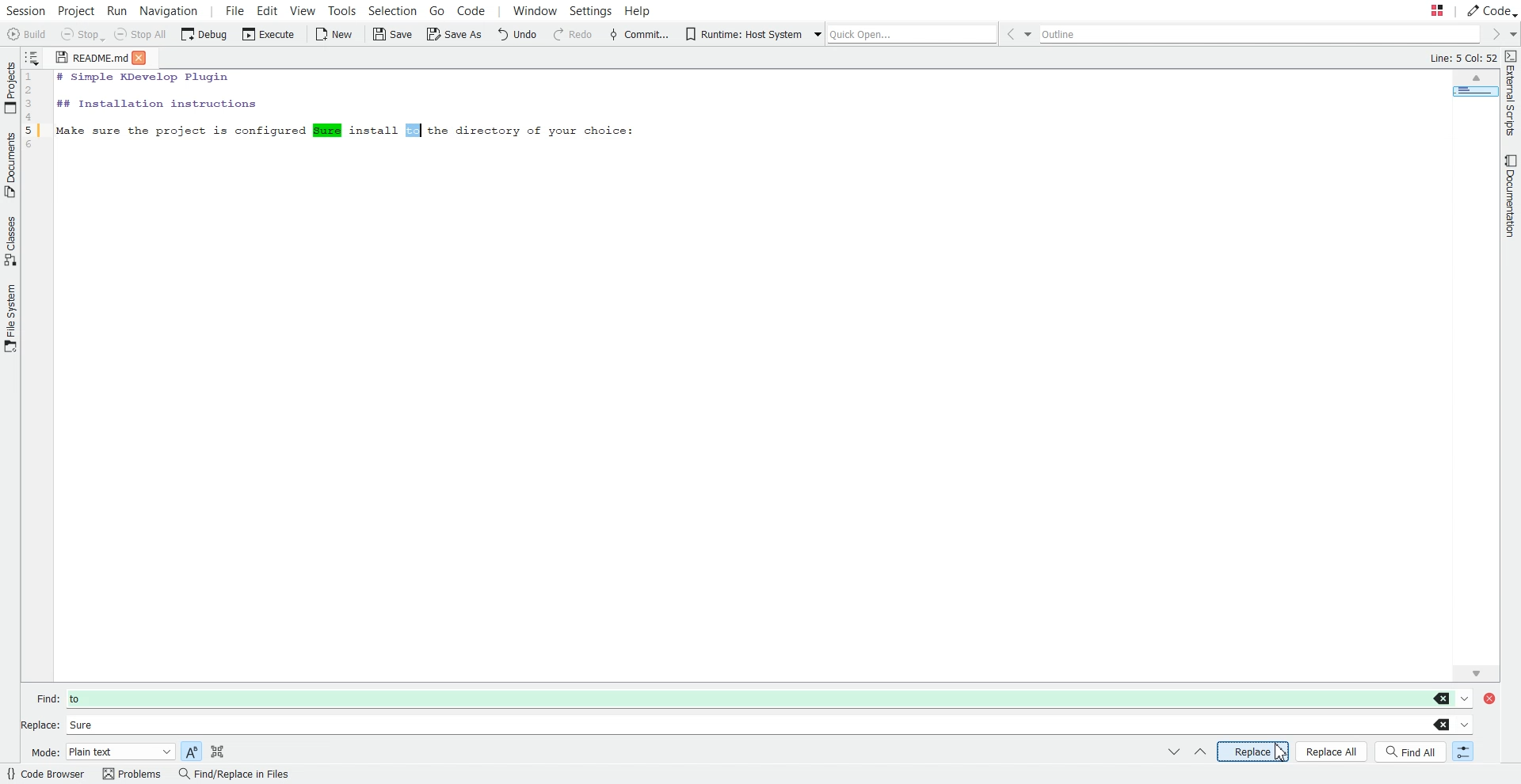 This screenshot has width=1521, height=784. Describe the element at coordinates (745, 723) in the screenshot. I see `Replace: Sure` at that location.